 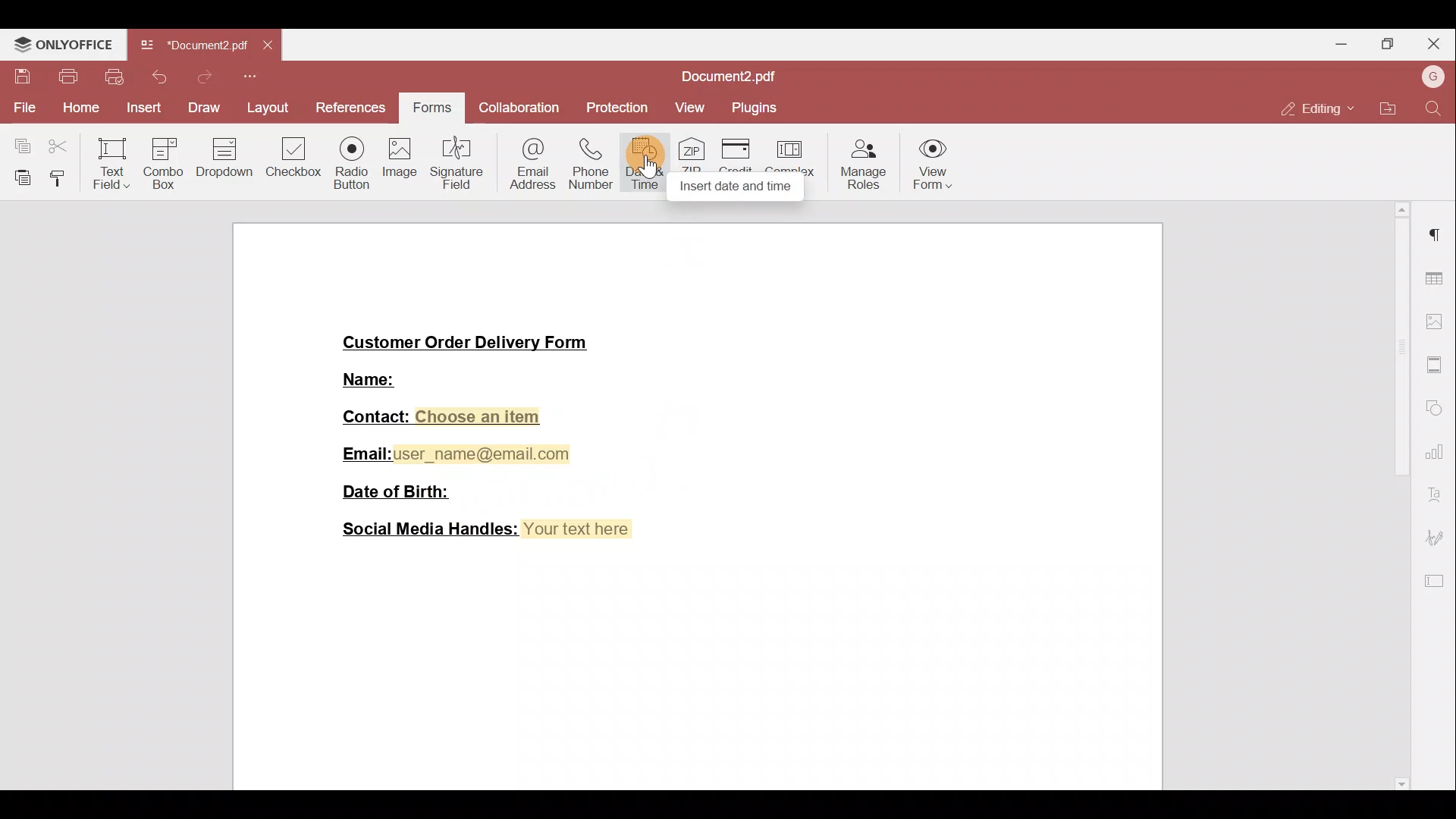 I want to click on Quick print, so click(x=113, y=76).